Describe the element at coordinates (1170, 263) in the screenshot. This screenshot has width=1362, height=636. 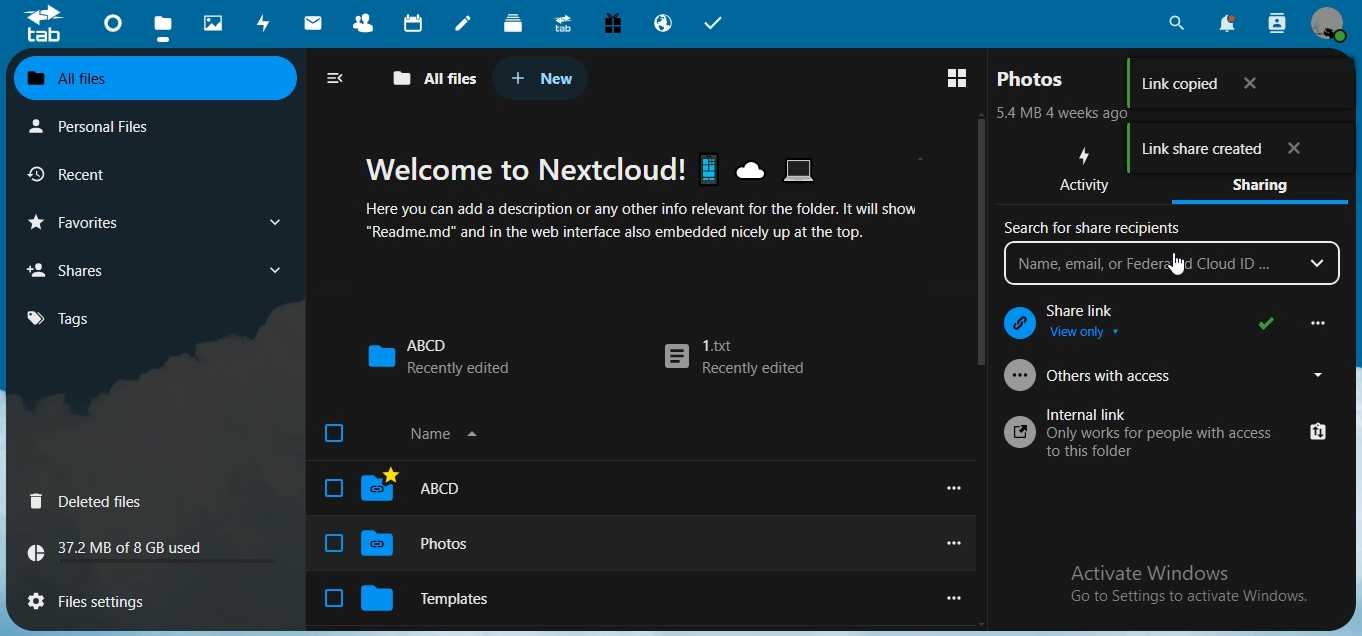
I see `name, email, or federated Cloud ID` at that location.